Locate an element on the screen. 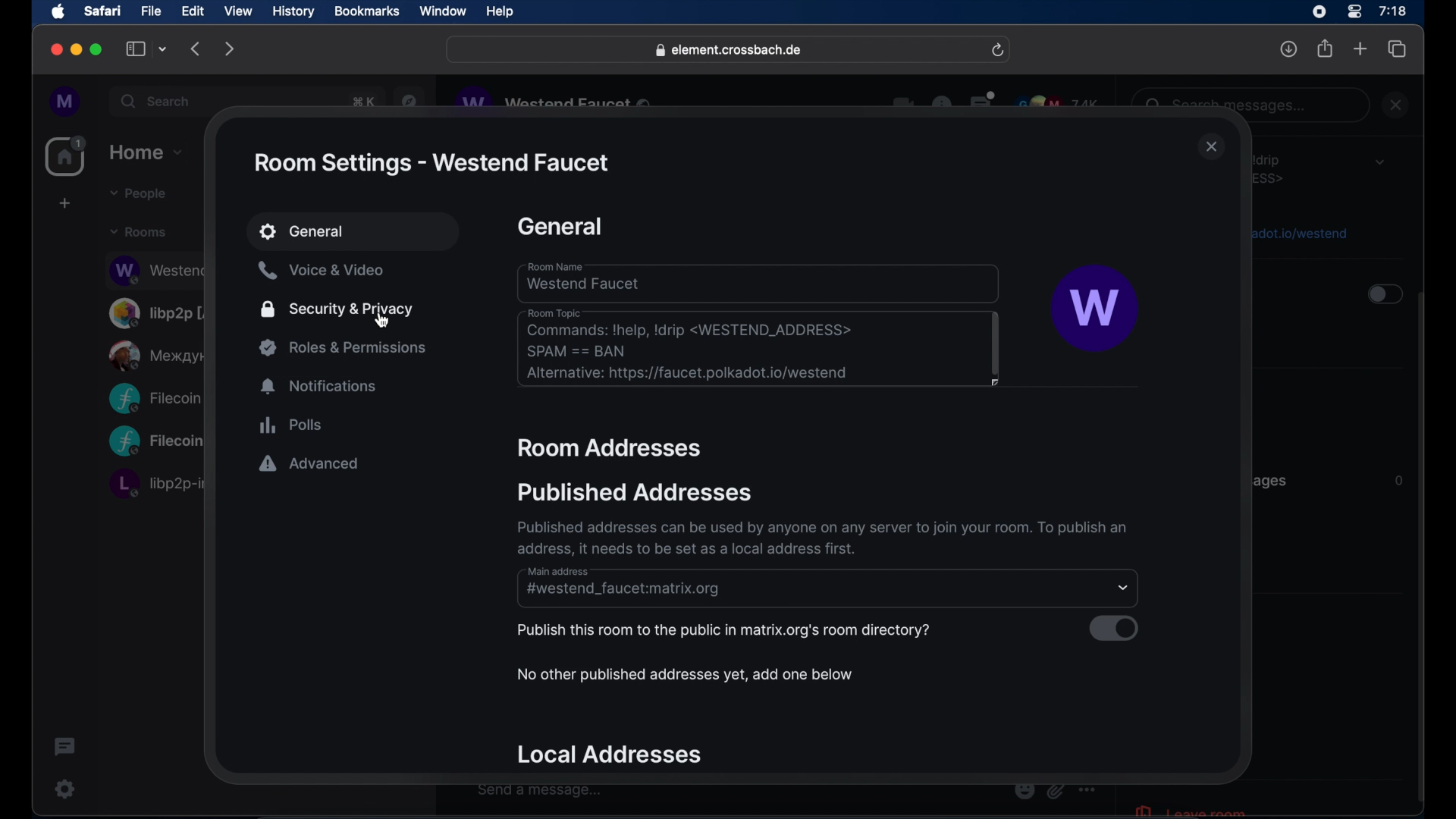 The image size is (1456, 819). show tab overview is located at coordinates (1398, 49).